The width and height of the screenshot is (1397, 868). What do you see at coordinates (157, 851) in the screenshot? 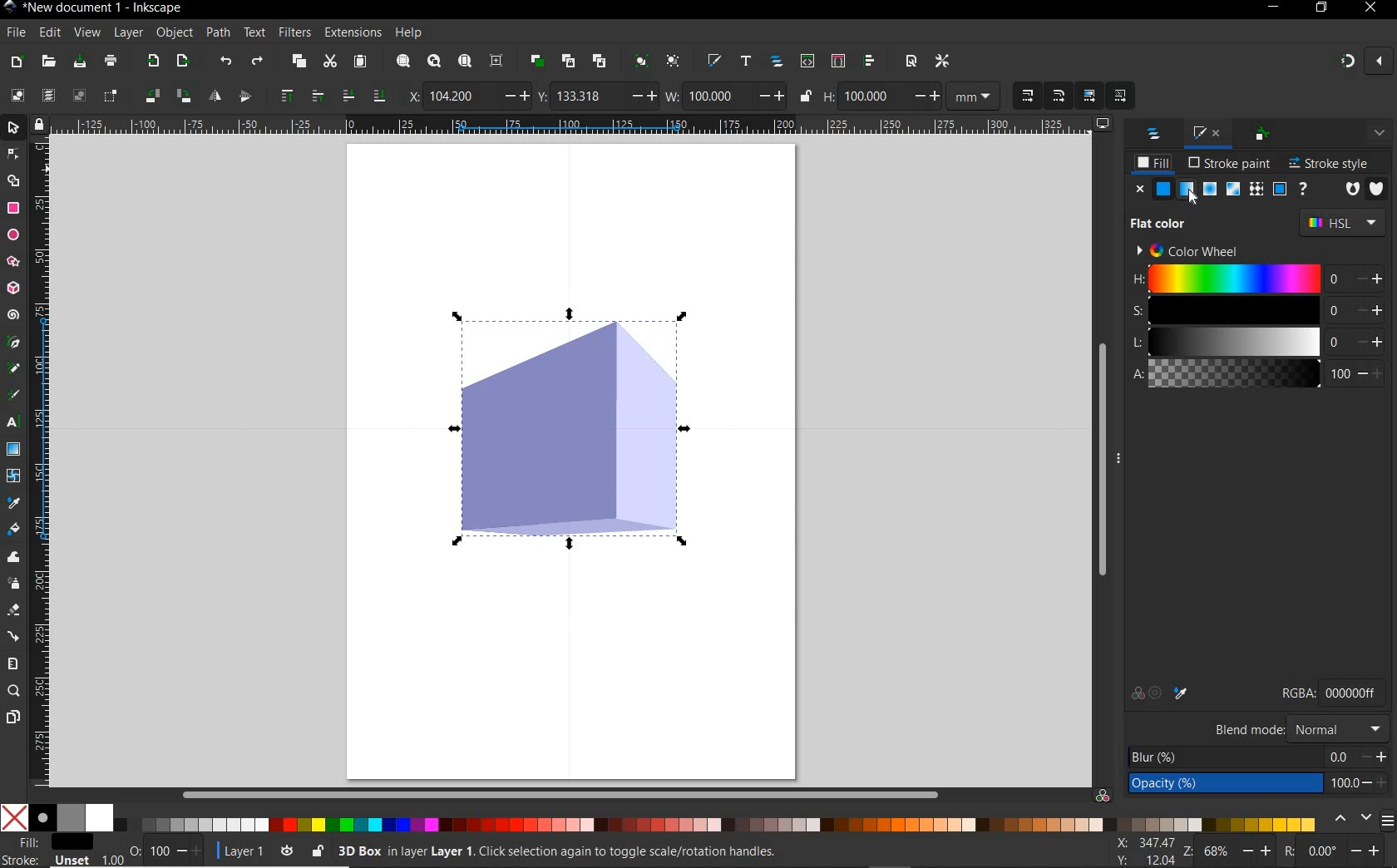
I see `100` at bounding box center [157, 851].